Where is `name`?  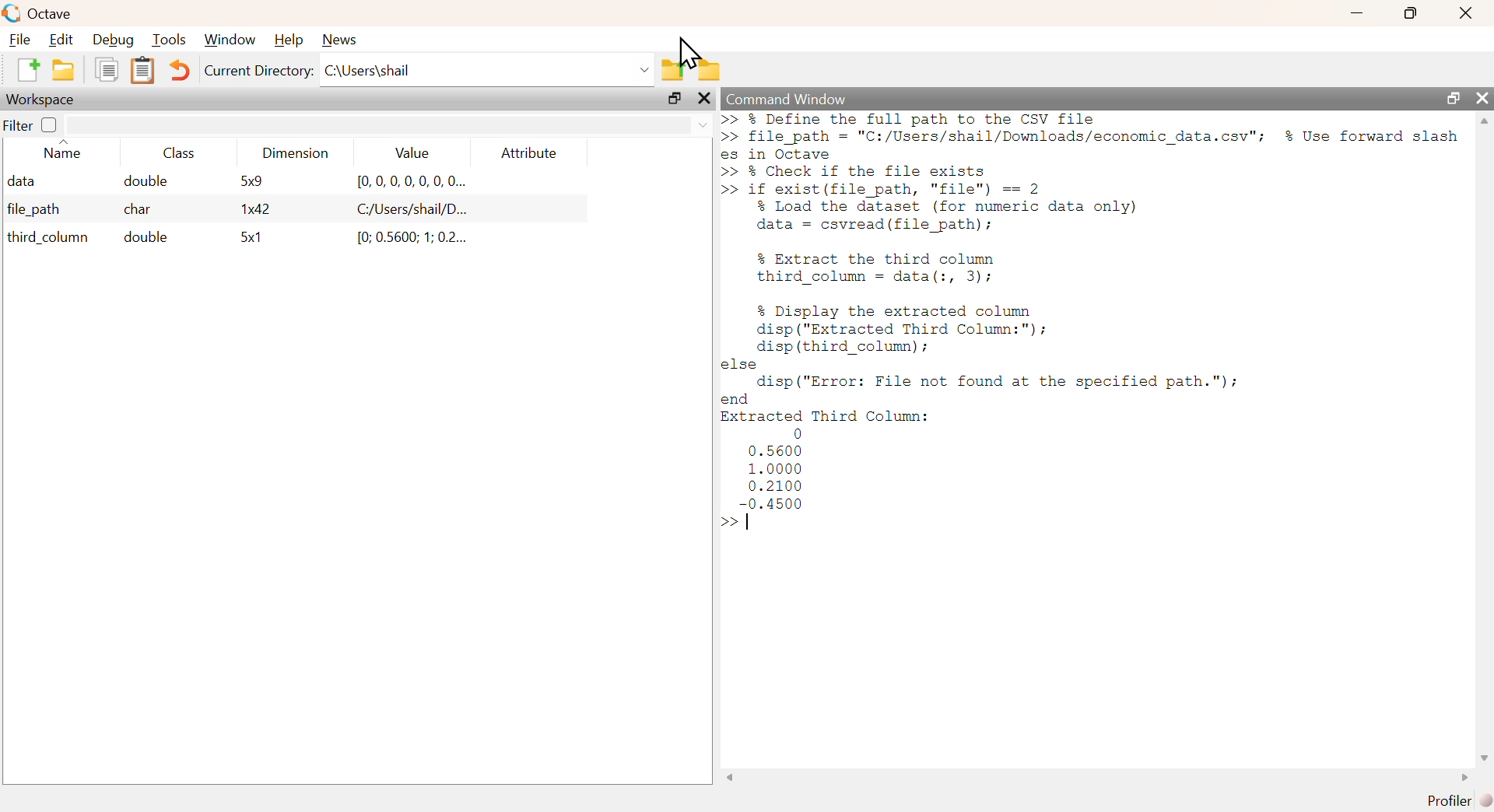
name is located at coordinates (68, 151).